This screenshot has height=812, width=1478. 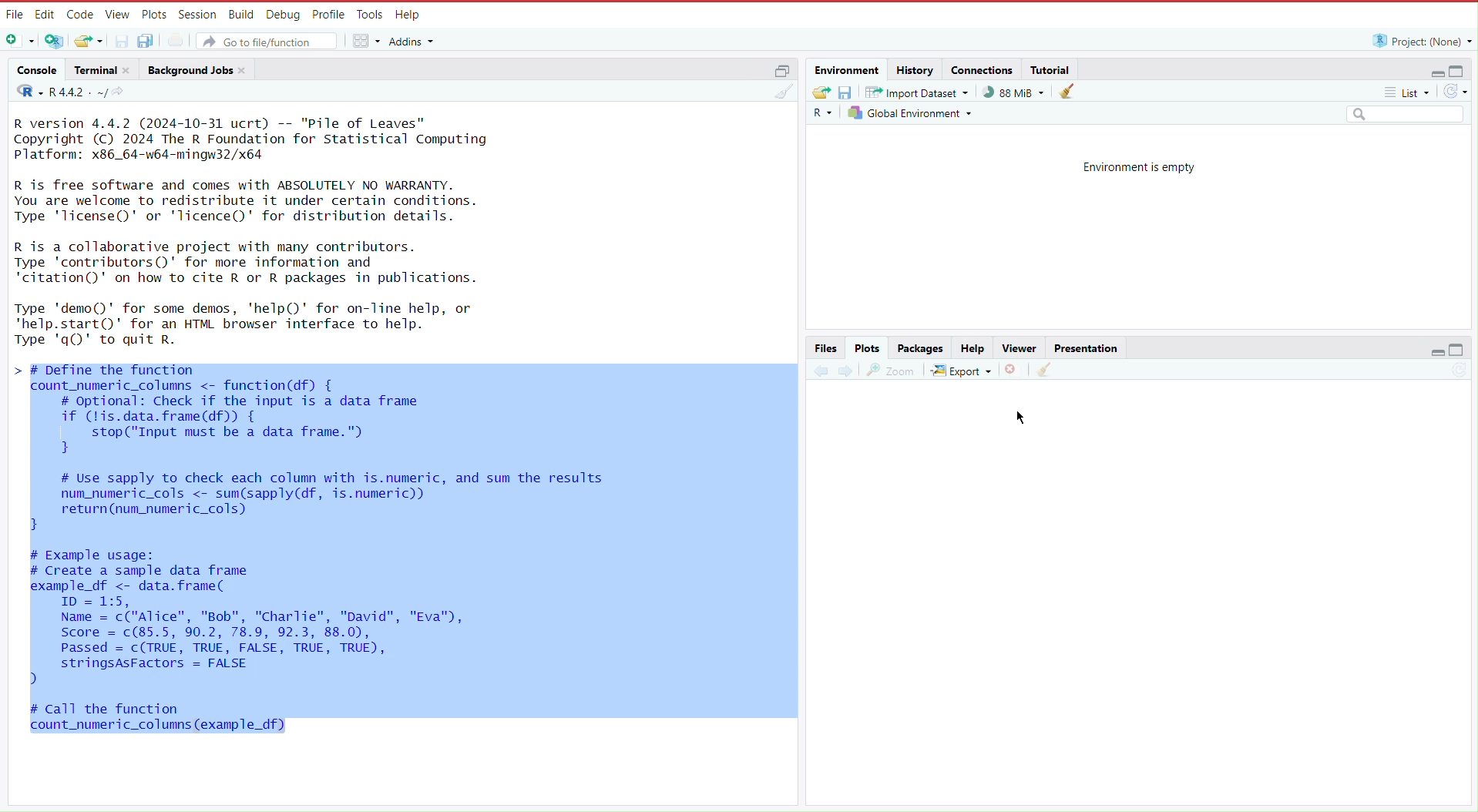 I want to click on Refresh the list of objects in the environment, so click(x=1455, y=93).